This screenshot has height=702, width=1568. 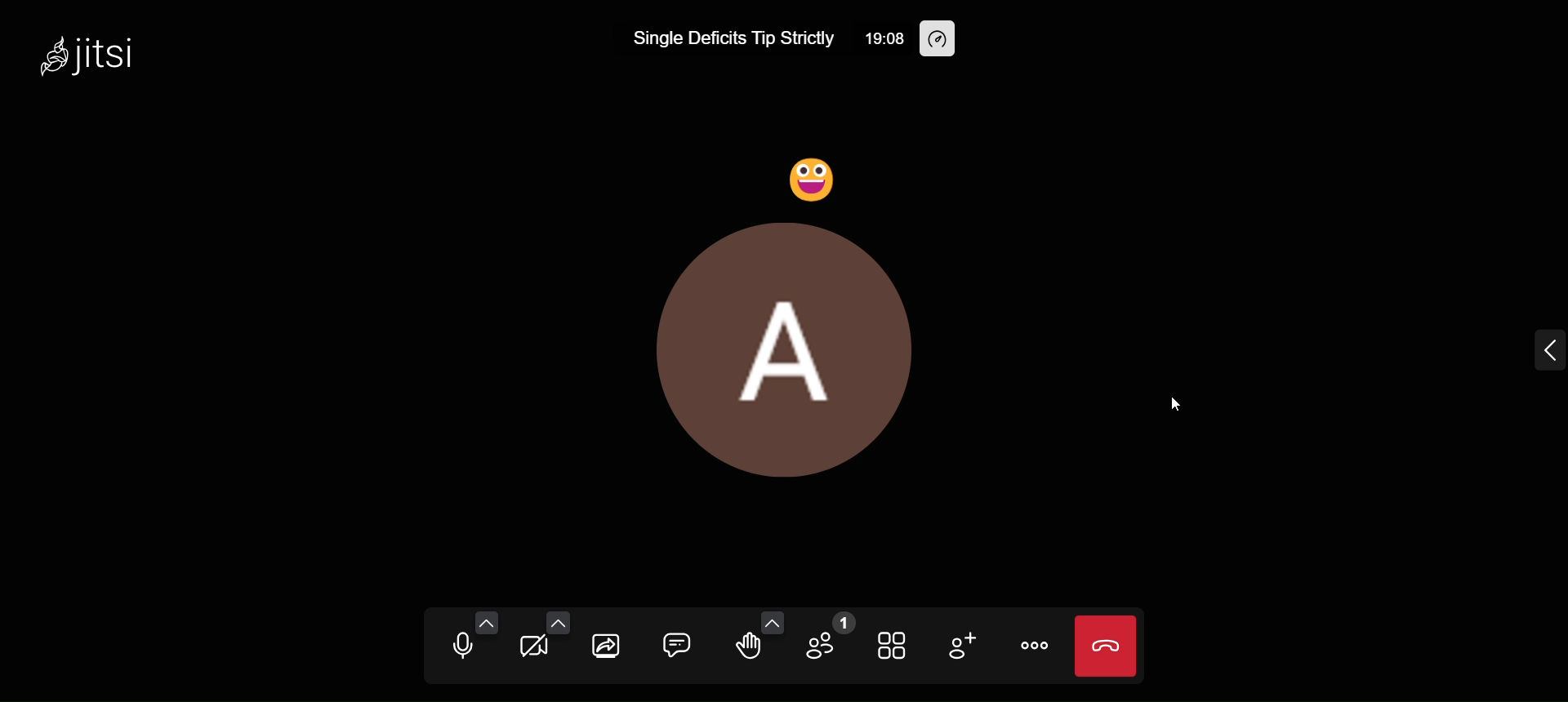 I want to click on video setting, so click(x=557, y=620).